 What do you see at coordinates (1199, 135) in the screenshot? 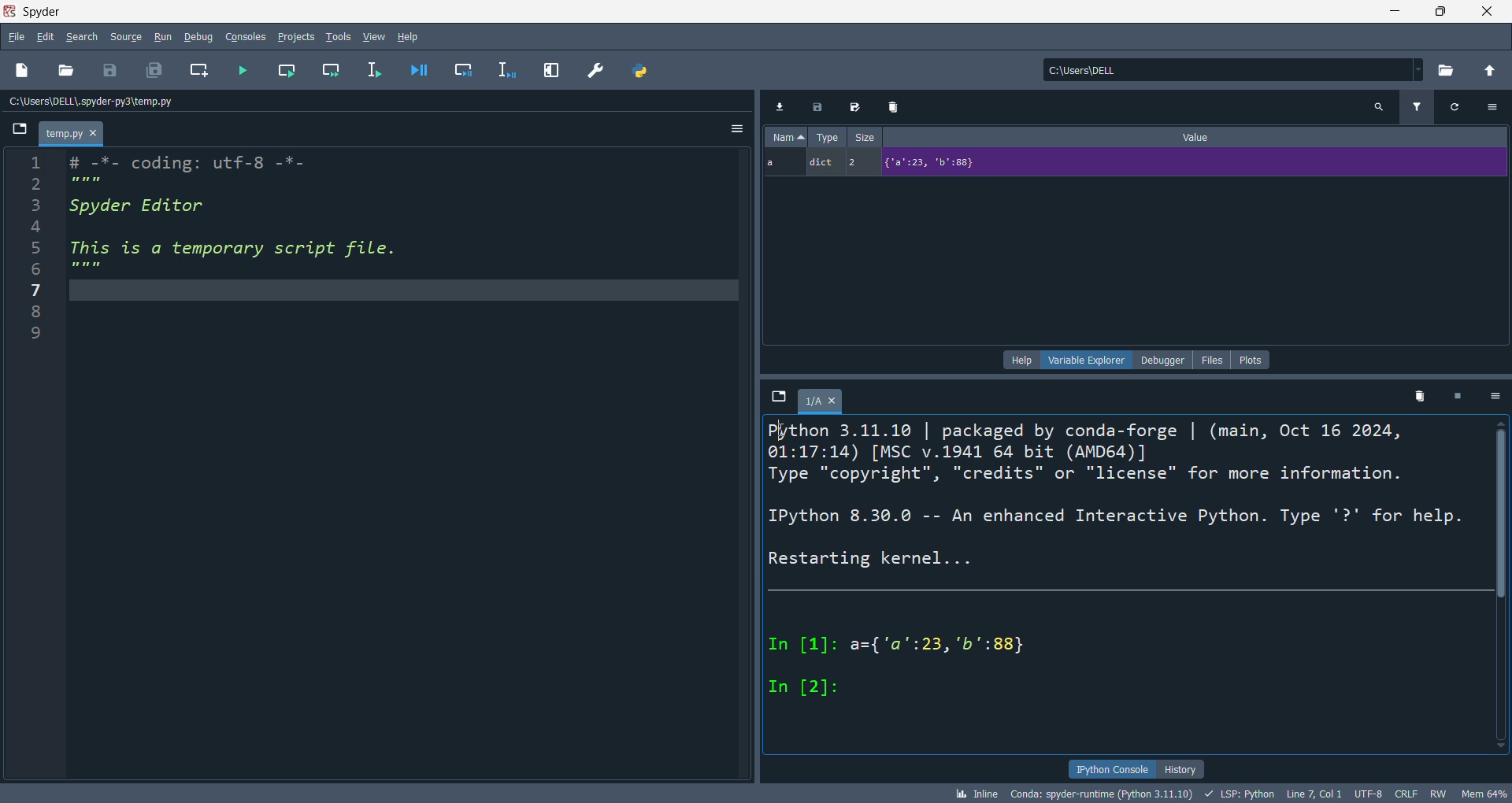
I see `value` at bounding box center [1199, 135].